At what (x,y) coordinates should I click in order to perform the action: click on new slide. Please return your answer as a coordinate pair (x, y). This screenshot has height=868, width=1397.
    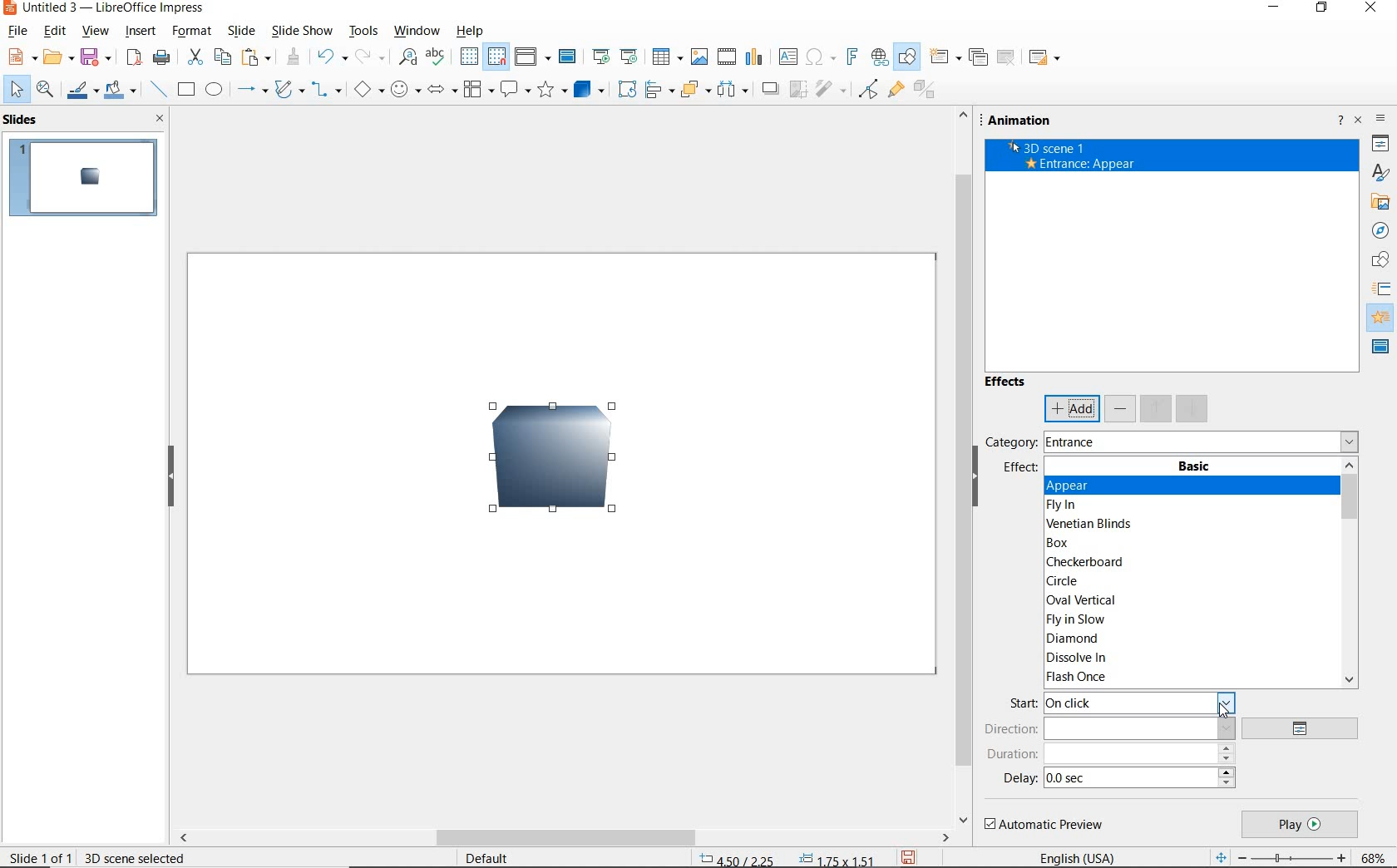
    Looking at the image, I should click on (945, 58).